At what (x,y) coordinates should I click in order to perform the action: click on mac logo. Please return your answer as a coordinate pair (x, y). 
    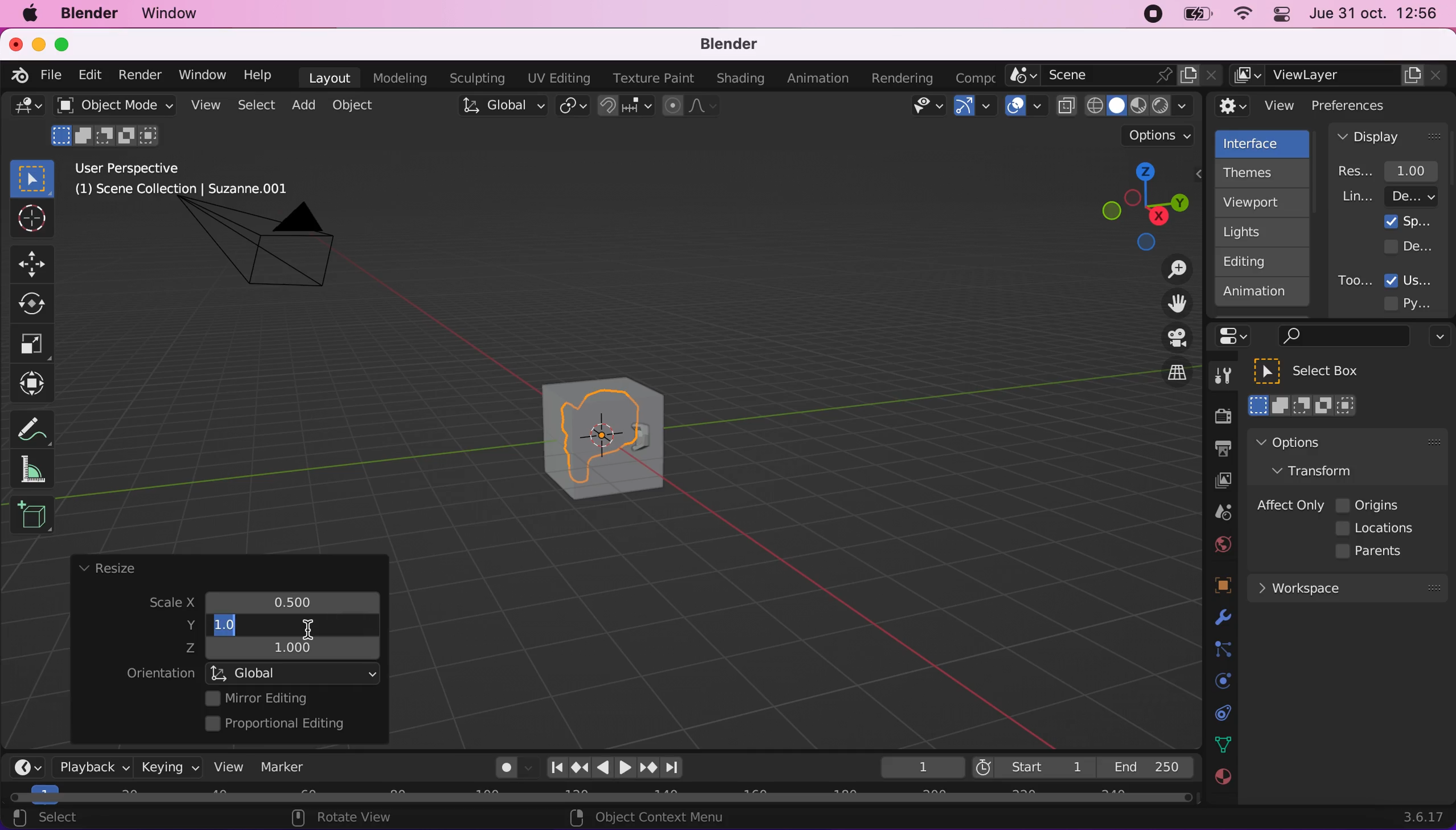
    Looking at the image, I should click on (29, 15).